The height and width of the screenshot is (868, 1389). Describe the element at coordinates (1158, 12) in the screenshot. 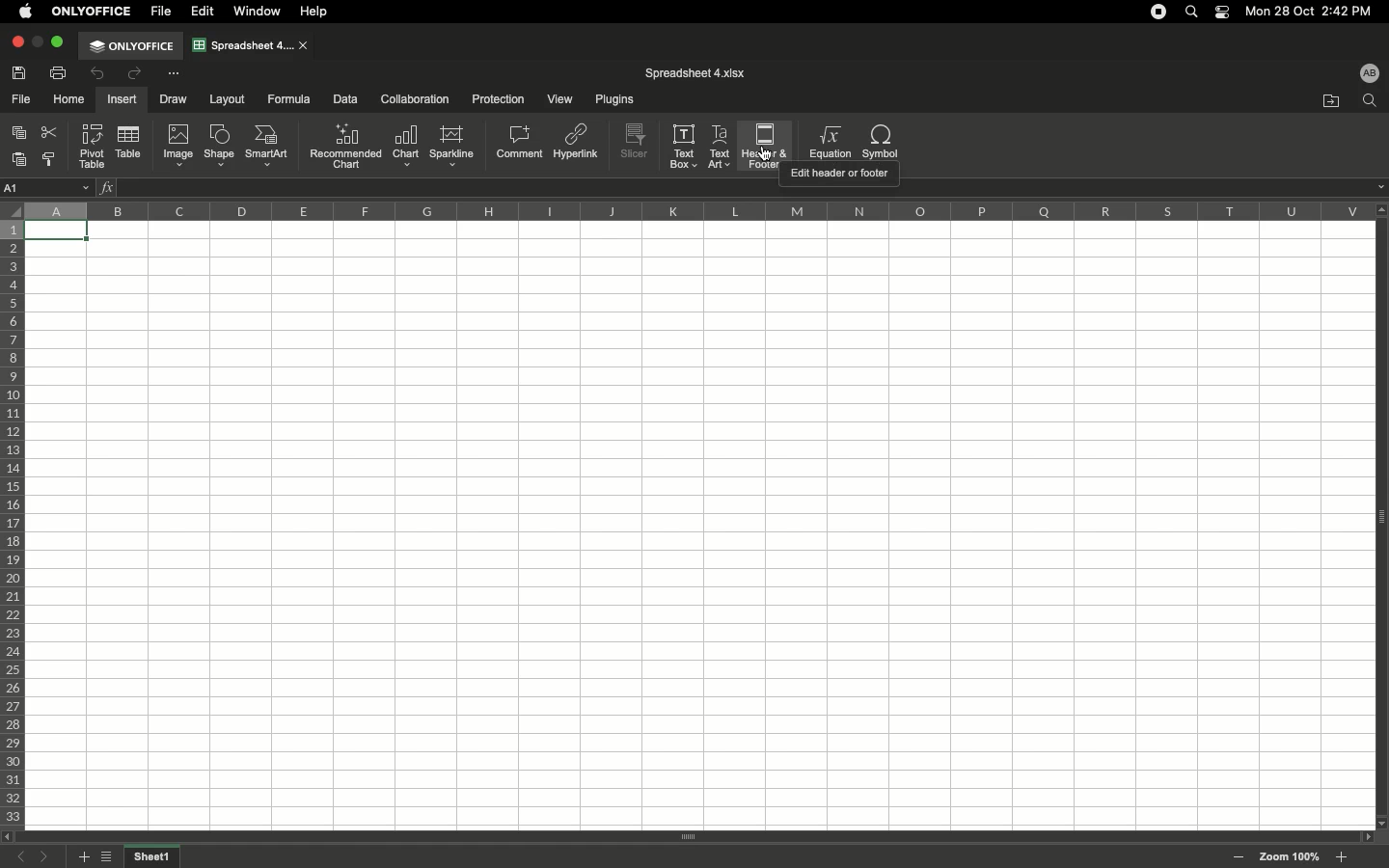

I see `Recording` at that location.